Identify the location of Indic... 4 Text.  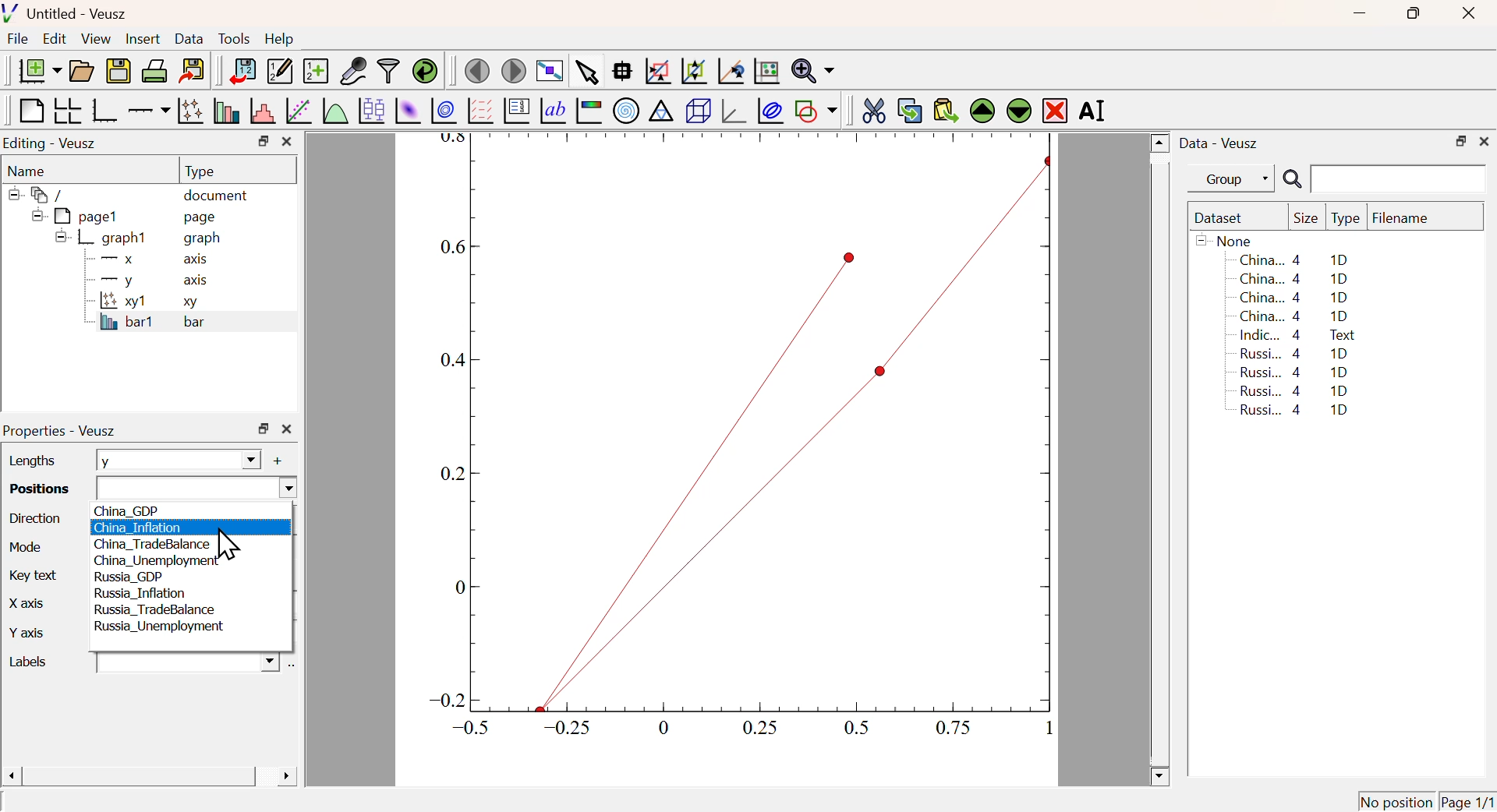
(1297, 335).